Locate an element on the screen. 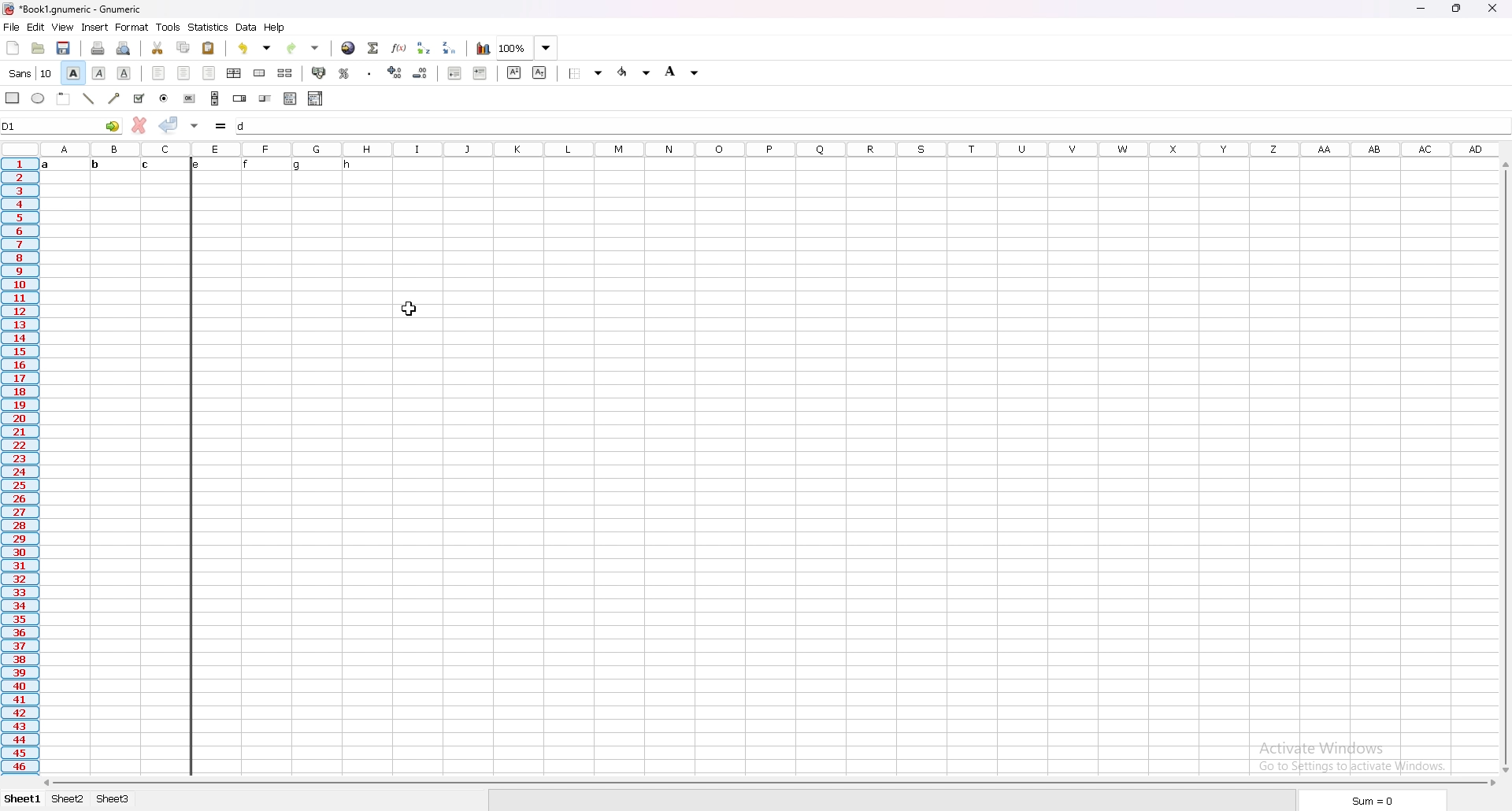 Image resolution: width=1512 pixels, height=811 pixels. selected cell is located at coordinates (62, 126).